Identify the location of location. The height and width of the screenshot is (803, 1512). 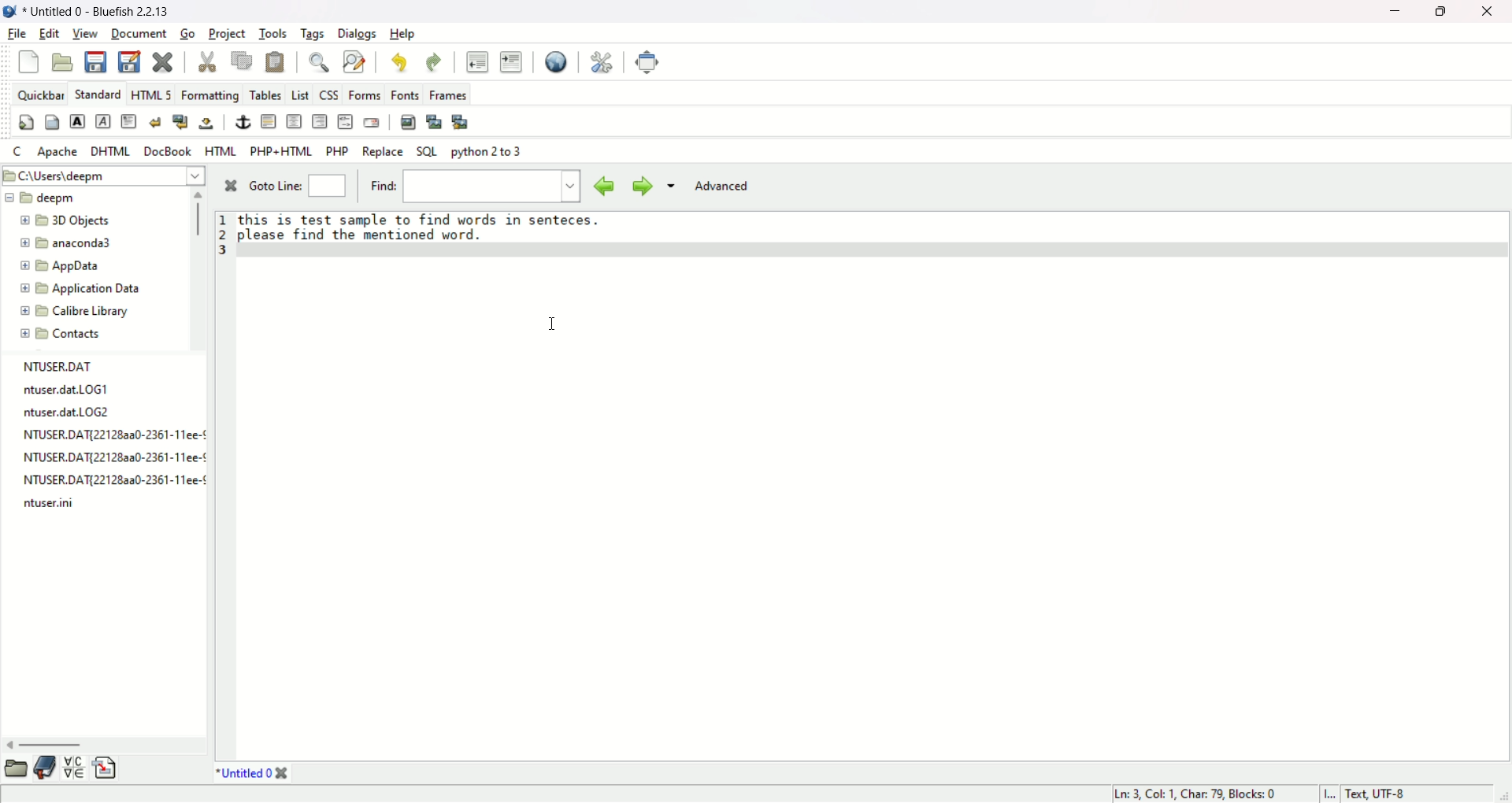
(102, 174).